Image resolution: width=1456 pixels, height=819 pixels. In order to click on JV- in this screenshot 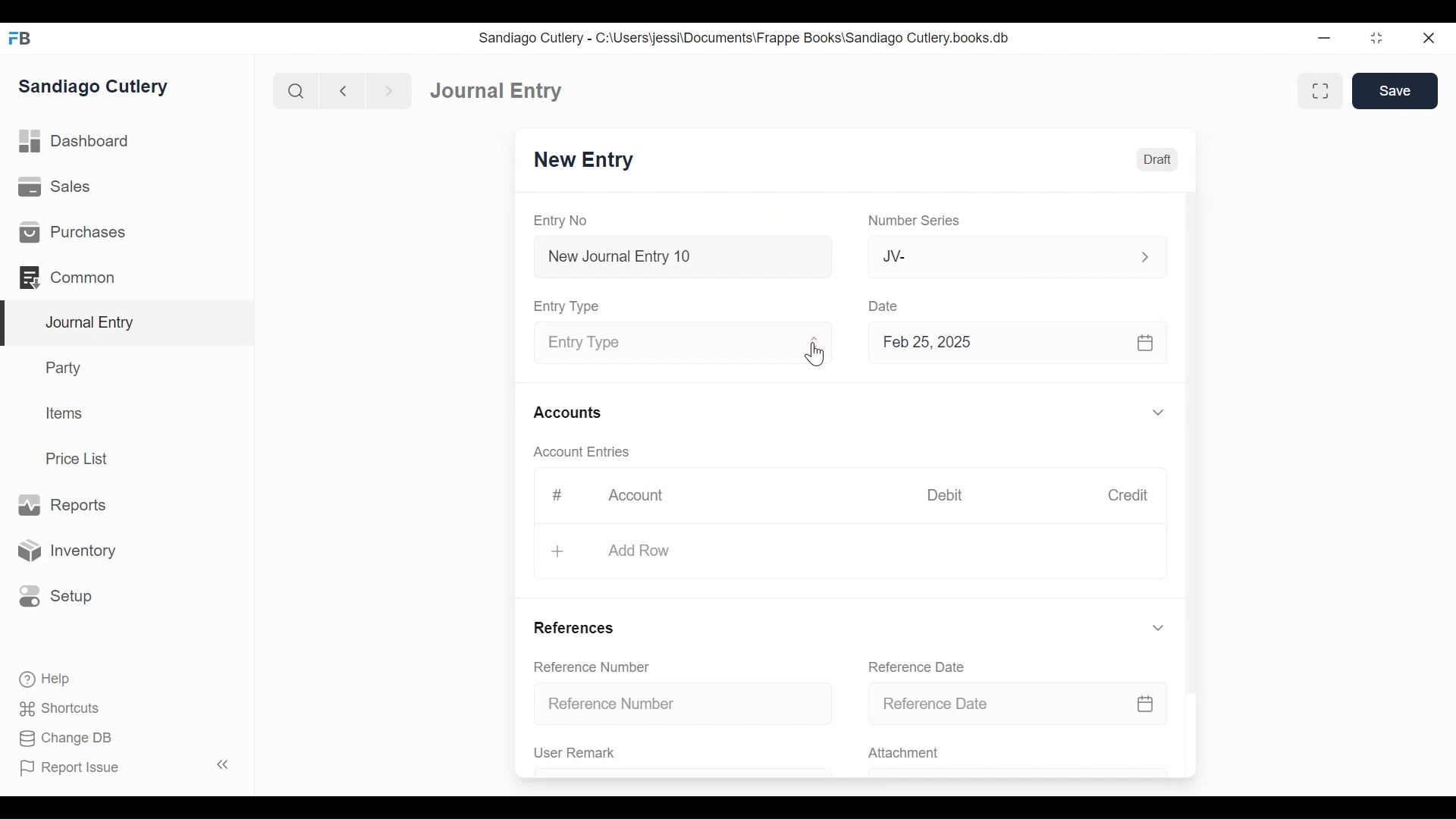, I will do `click(998, 256)`.